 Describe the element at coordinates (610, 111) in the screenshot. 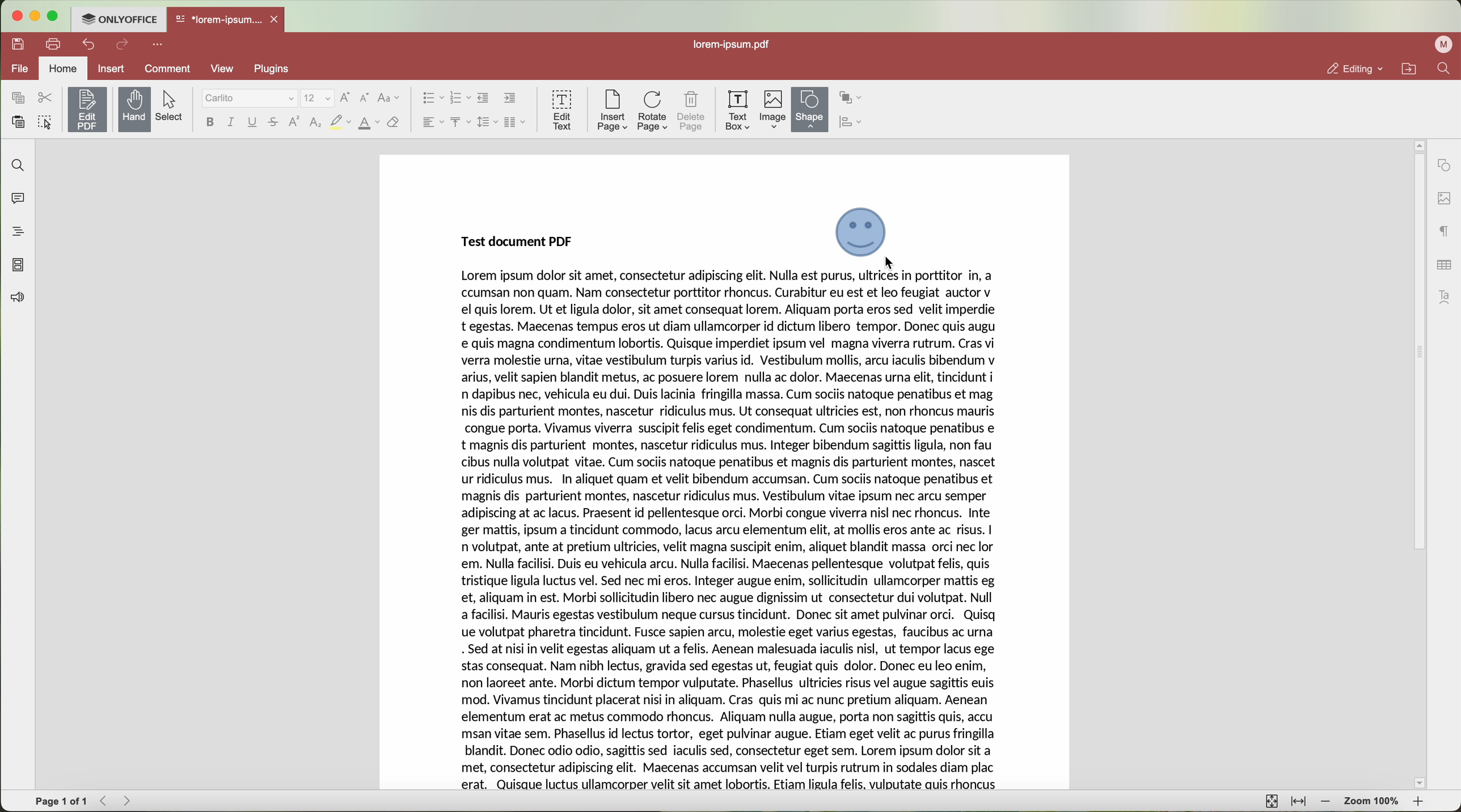

I see `insert page` at that location.